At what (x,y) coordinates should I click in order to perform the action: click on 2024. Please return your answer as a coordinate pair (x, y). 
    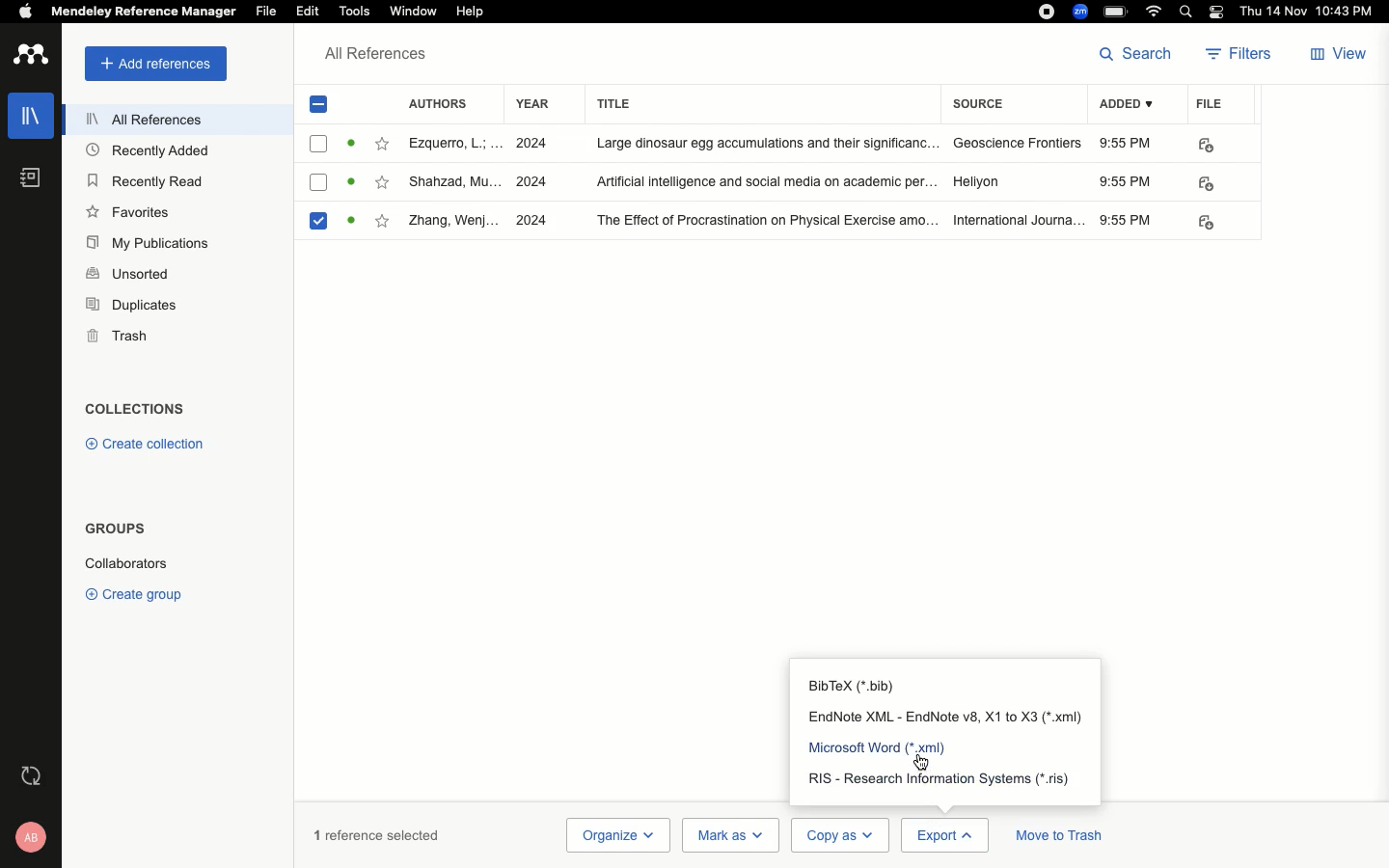
    Looking at the image, I should click on (531, 145).